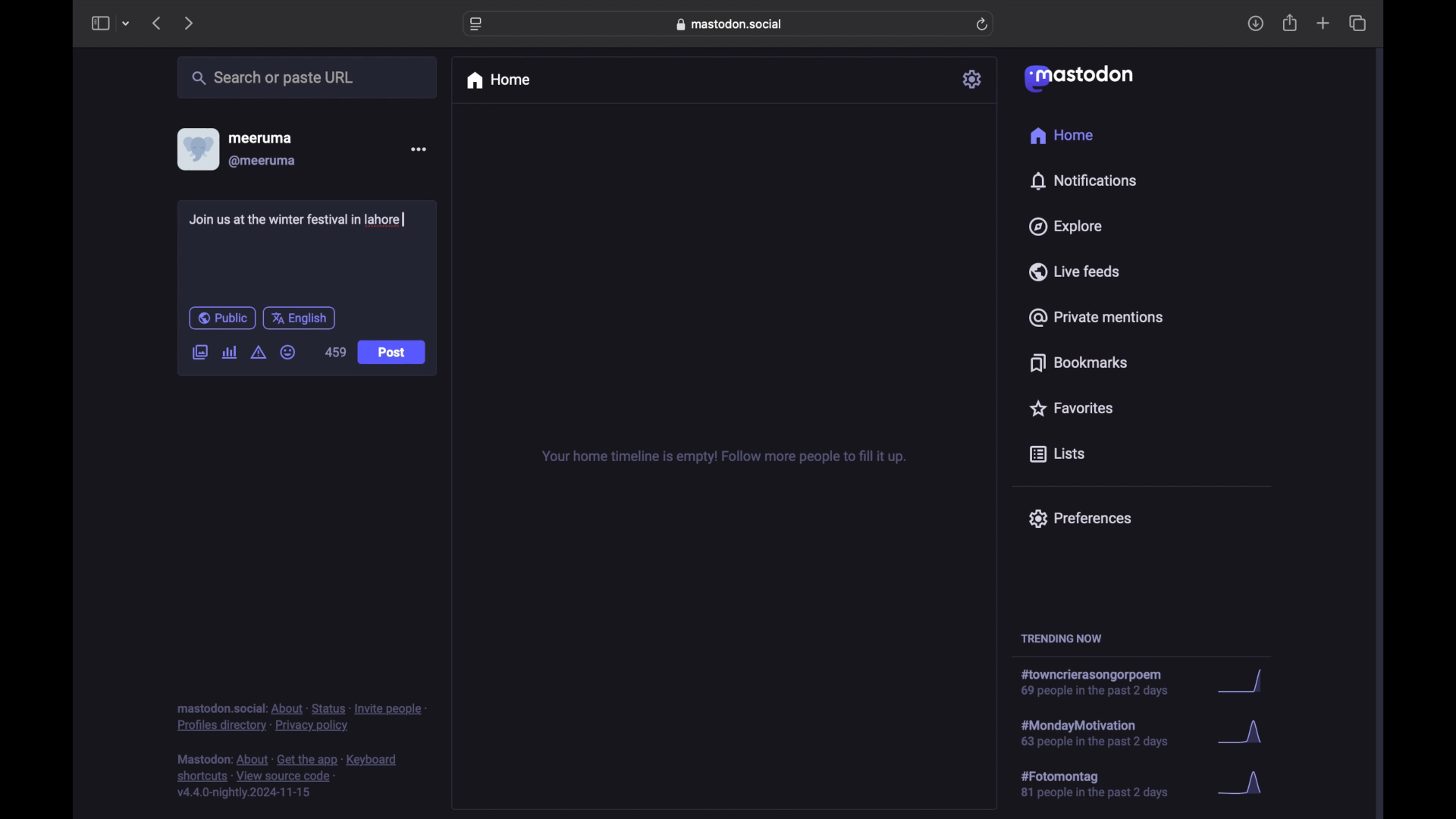  Describe the element at coordinates (1077, 77) in the screenshot. I see `mastodon` at that location.